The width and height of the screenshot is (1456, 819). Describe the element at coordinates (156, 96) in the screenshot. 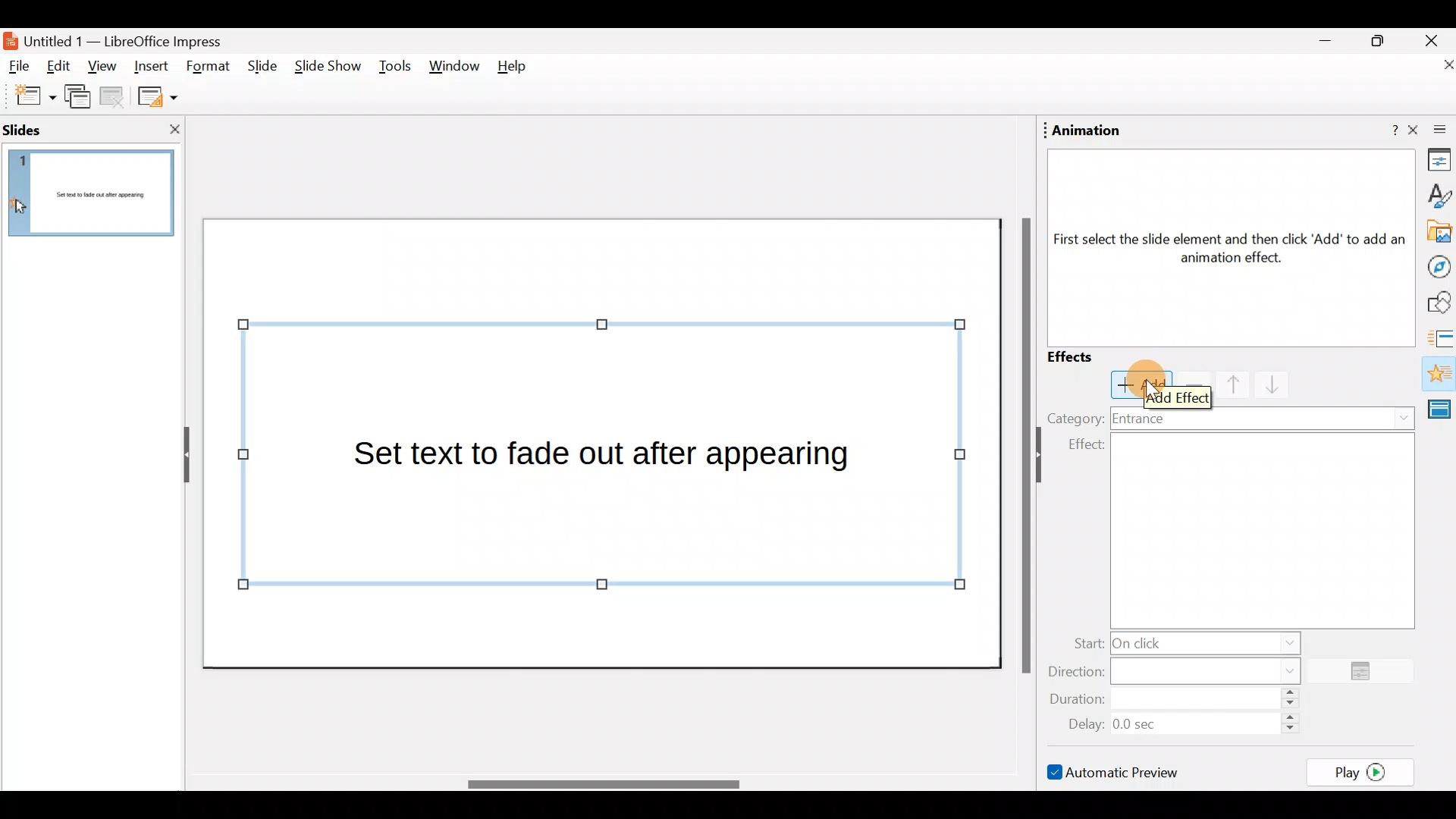

I see `Slide layout` at that location.